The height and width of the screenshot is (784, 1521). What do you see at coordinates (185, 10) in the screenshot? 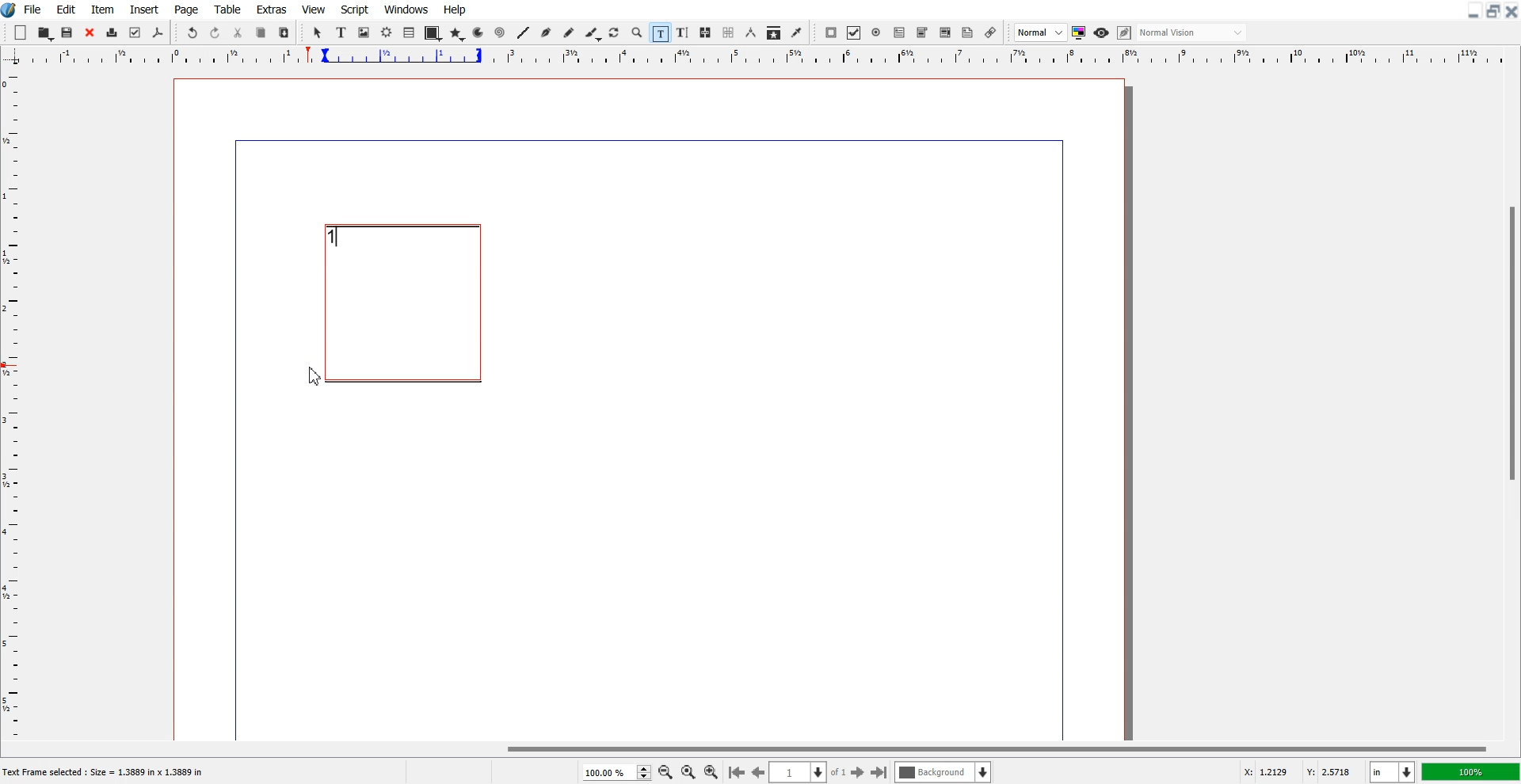
I see `Page` at bounding box center [185, 10].